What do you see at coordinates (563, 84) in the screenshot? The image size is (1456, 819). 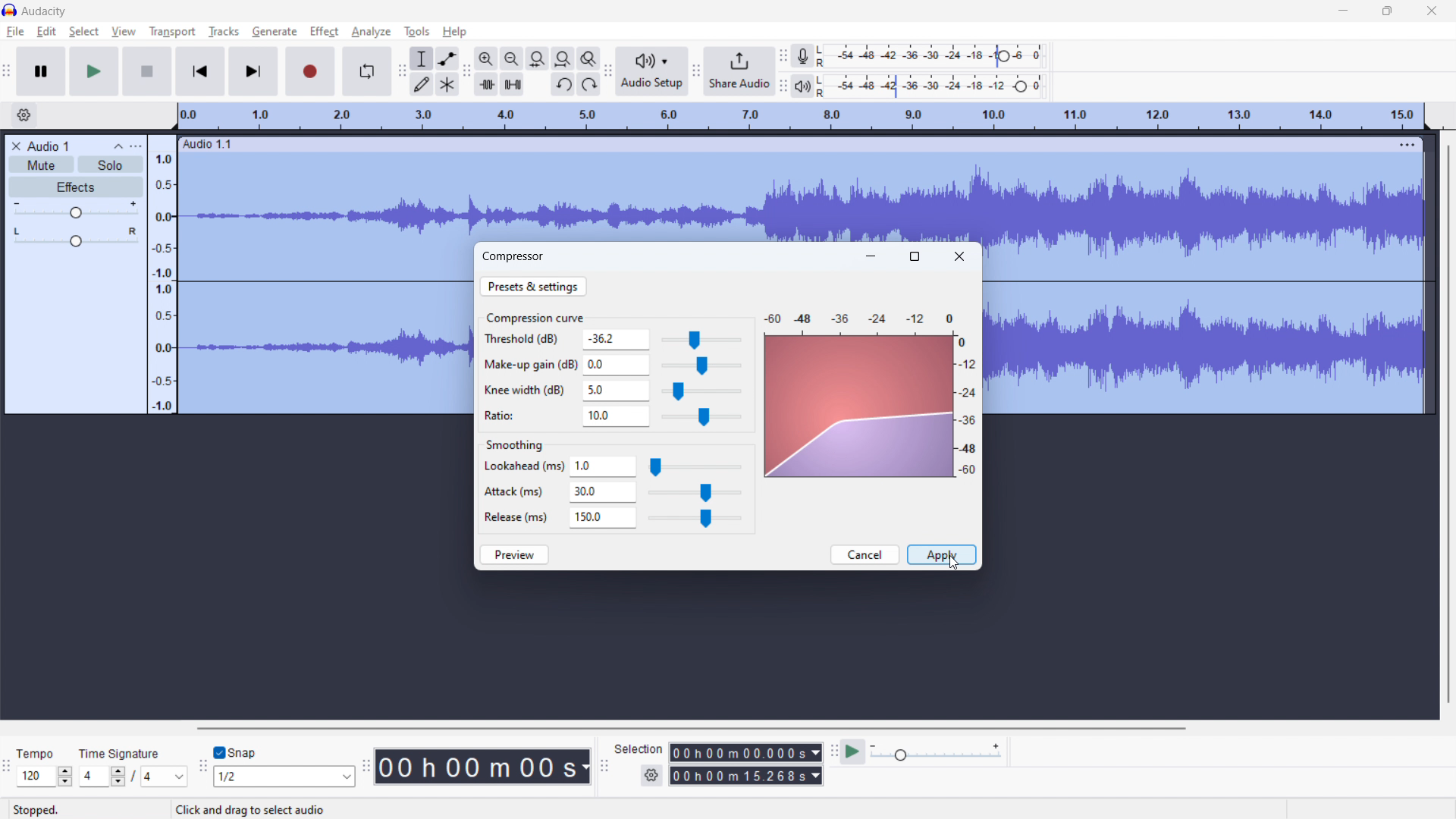 I see `undo` at bounding box center [563, 84].